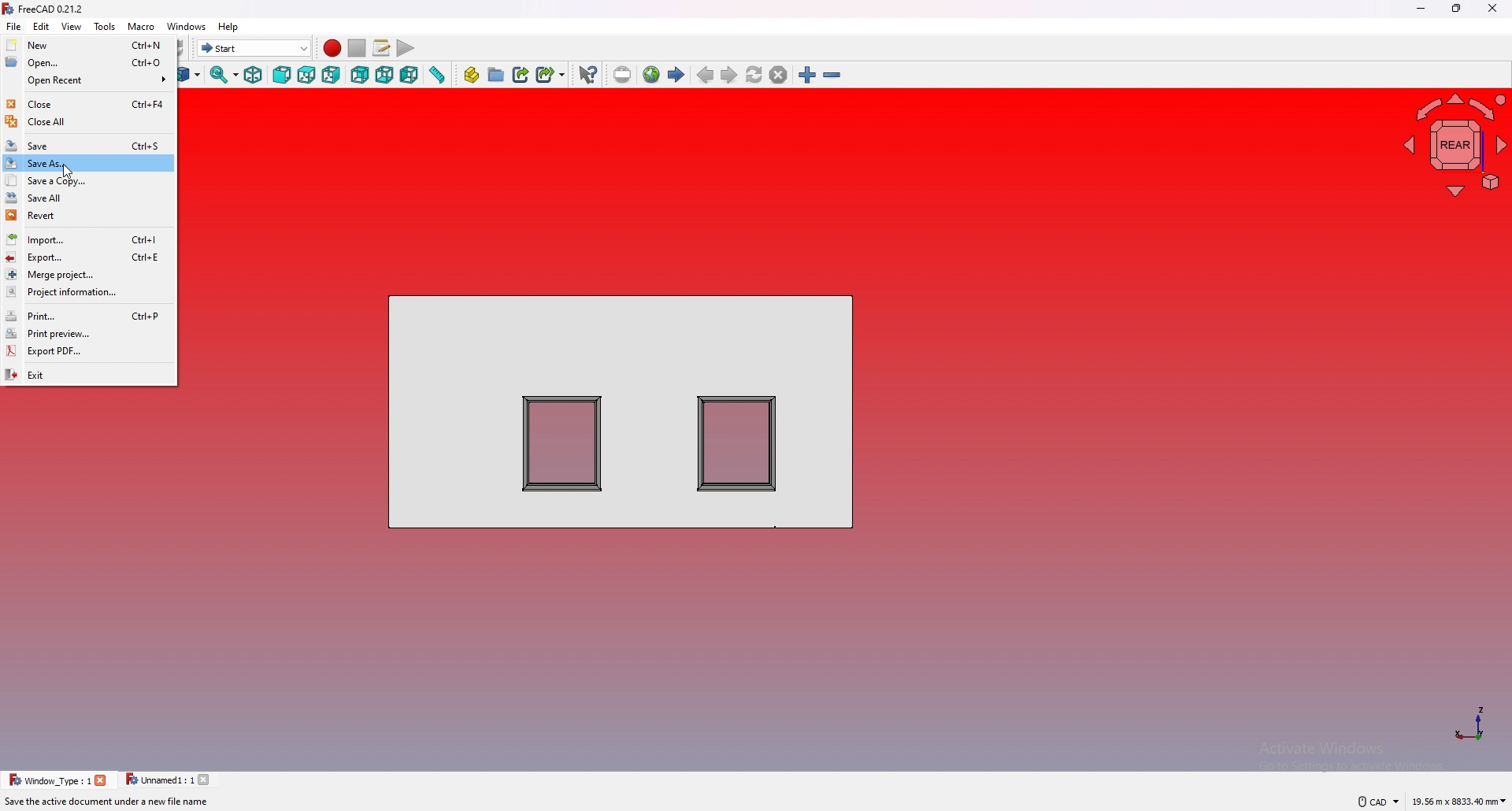 This screenshot has height=811, width=1512. I want to click on open ctrl+o, so click(88, 63).